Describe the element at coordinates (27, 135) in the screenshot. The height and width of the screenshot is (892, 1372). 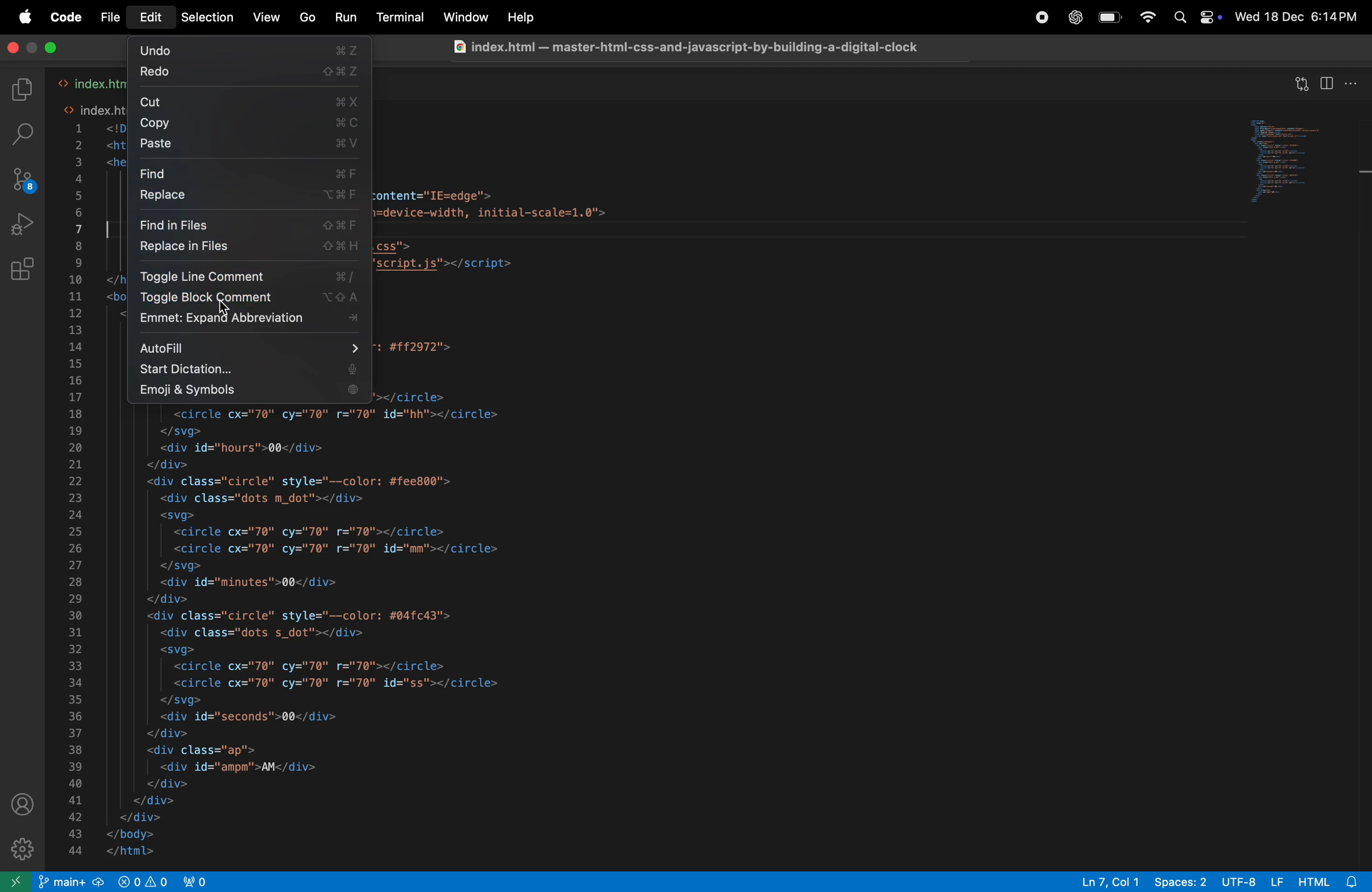
I see `search` at that location.